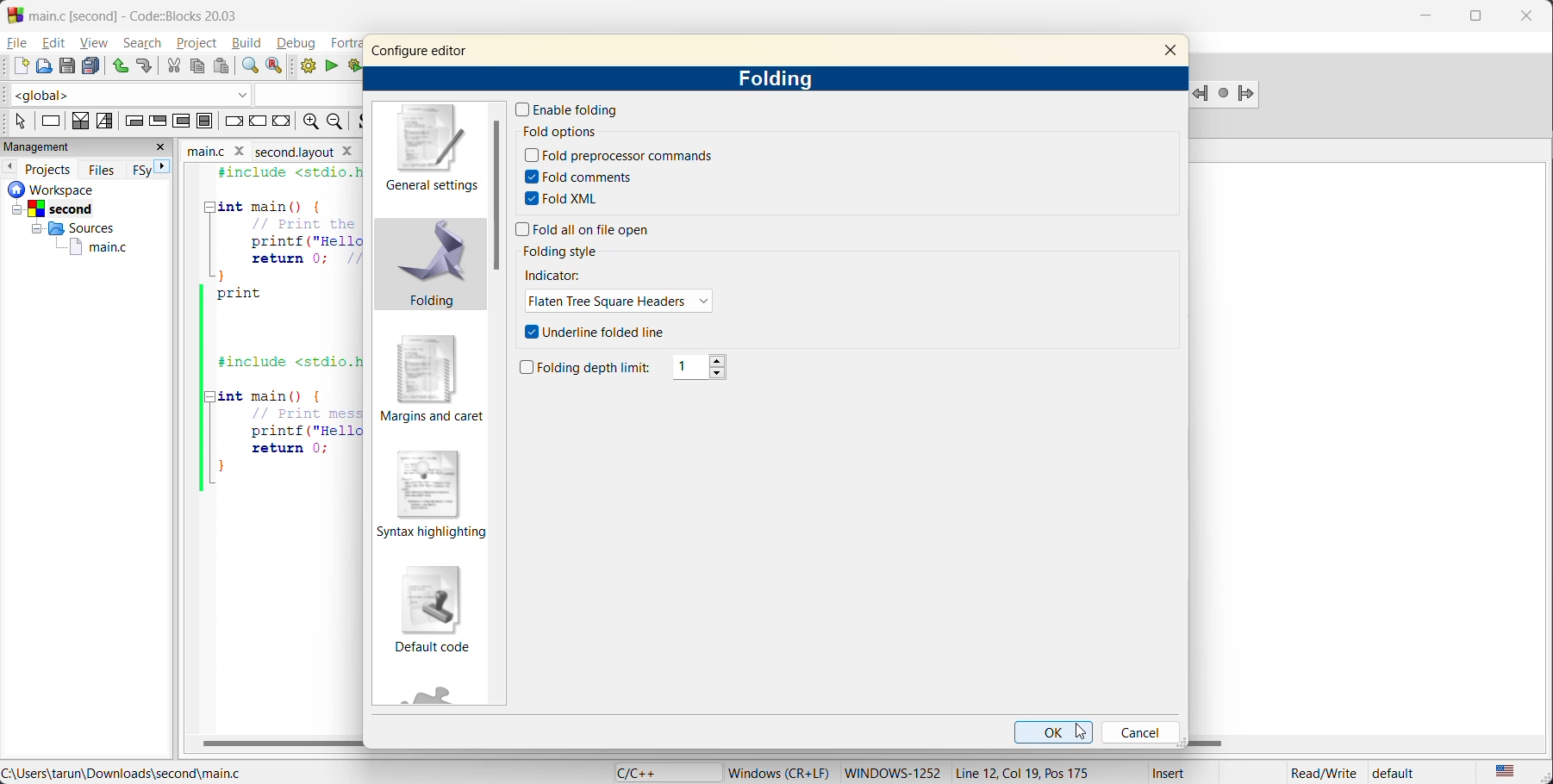 Image resolution: width=1553 pixels, height=784 pixels. What do you see at coordinates (345, 44) in the screenshot?
I see `fortran` at bounding box center [345, 44].